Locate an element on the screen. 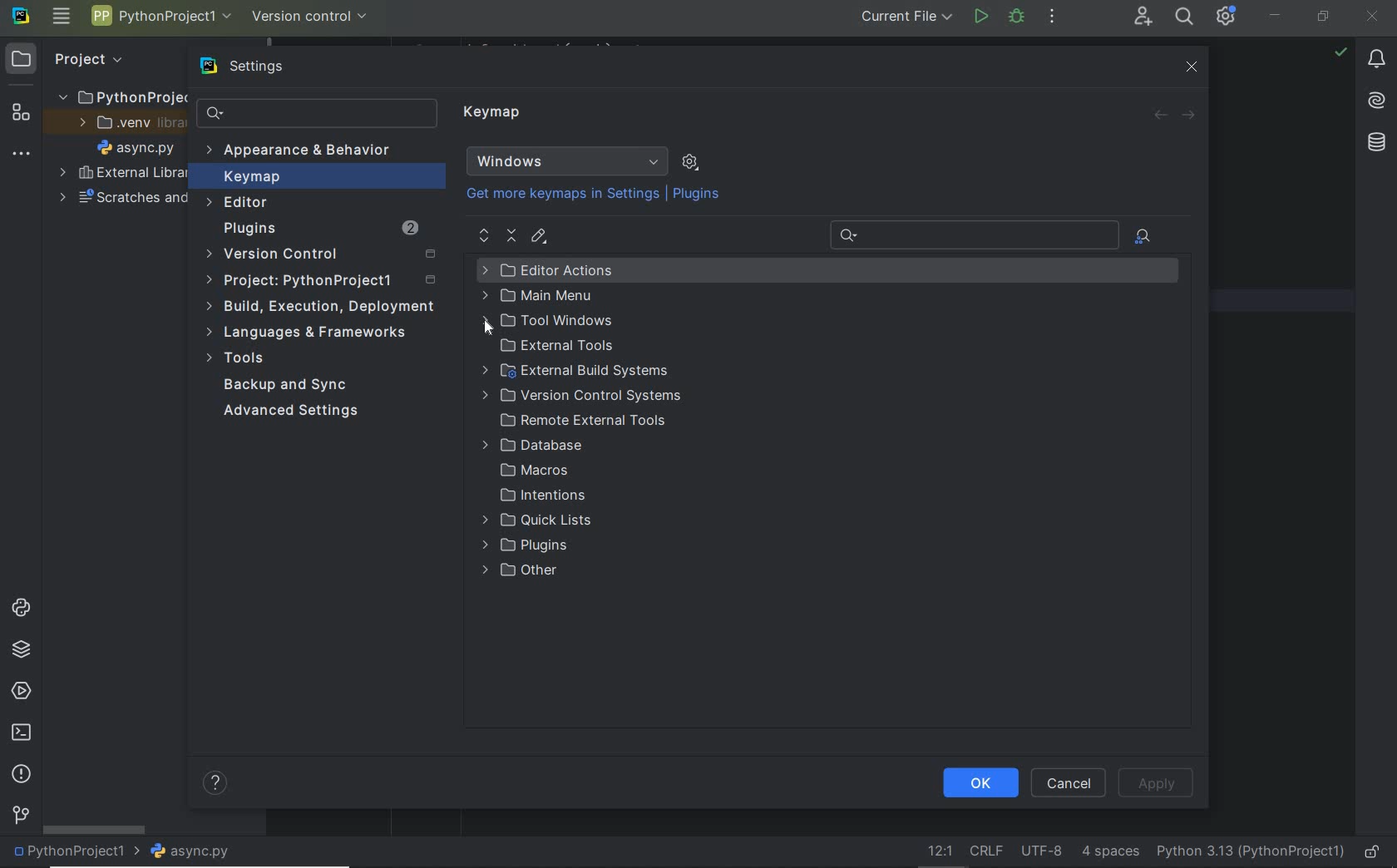  version control is located at coordinates (21, 816).